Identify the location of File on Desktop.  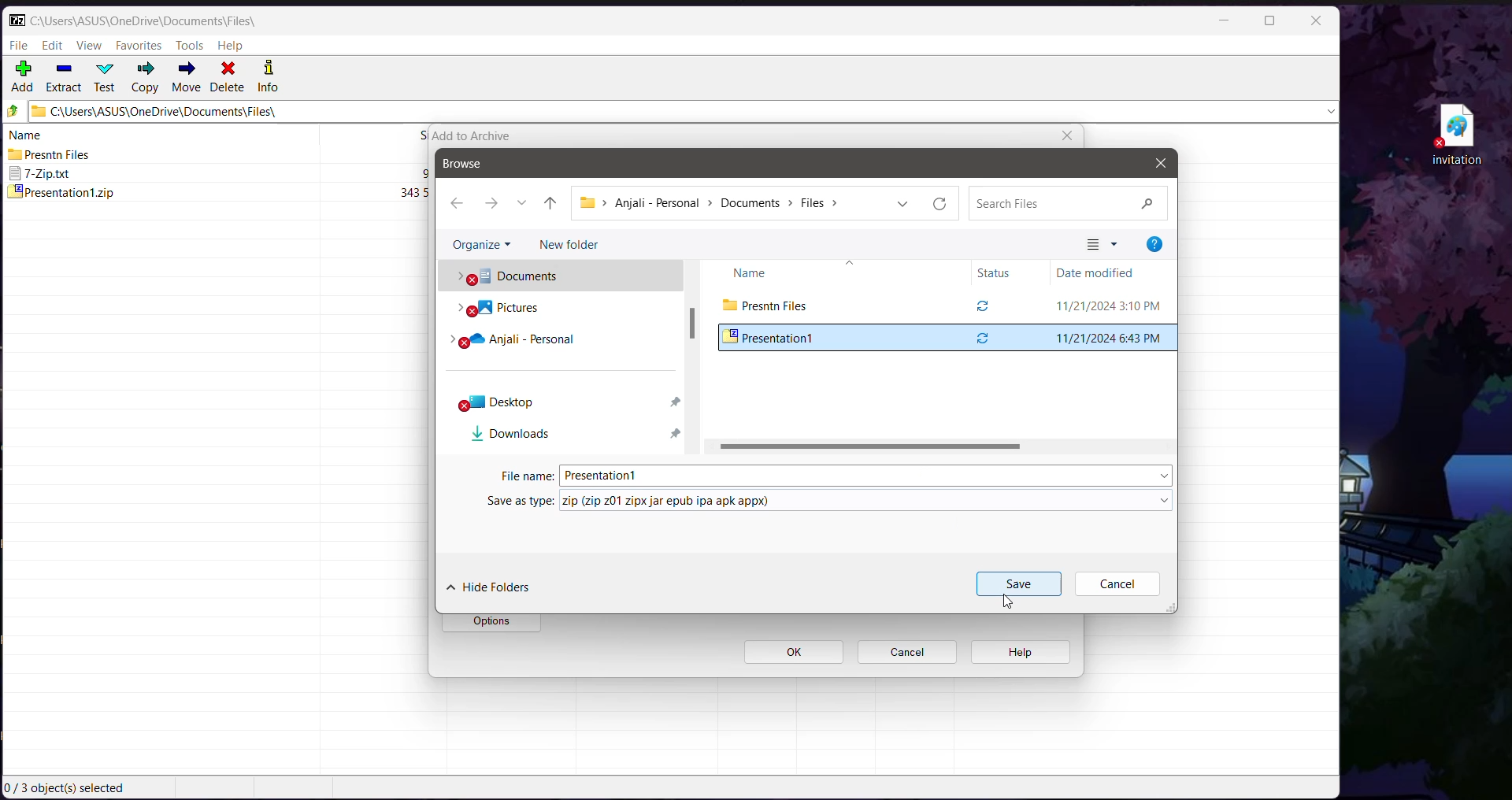
(1454, 135).